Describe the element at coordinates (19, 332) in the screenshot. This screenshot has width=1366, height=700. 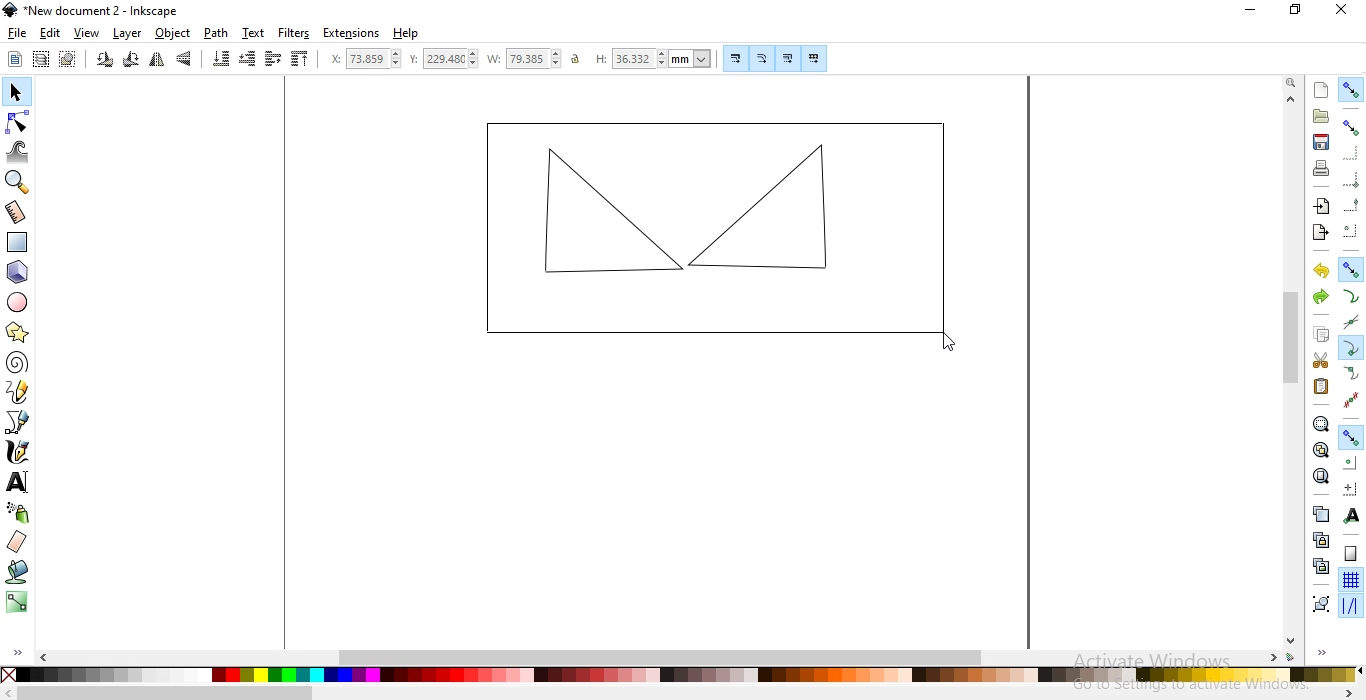
I see `create stars and polygons` at that location.